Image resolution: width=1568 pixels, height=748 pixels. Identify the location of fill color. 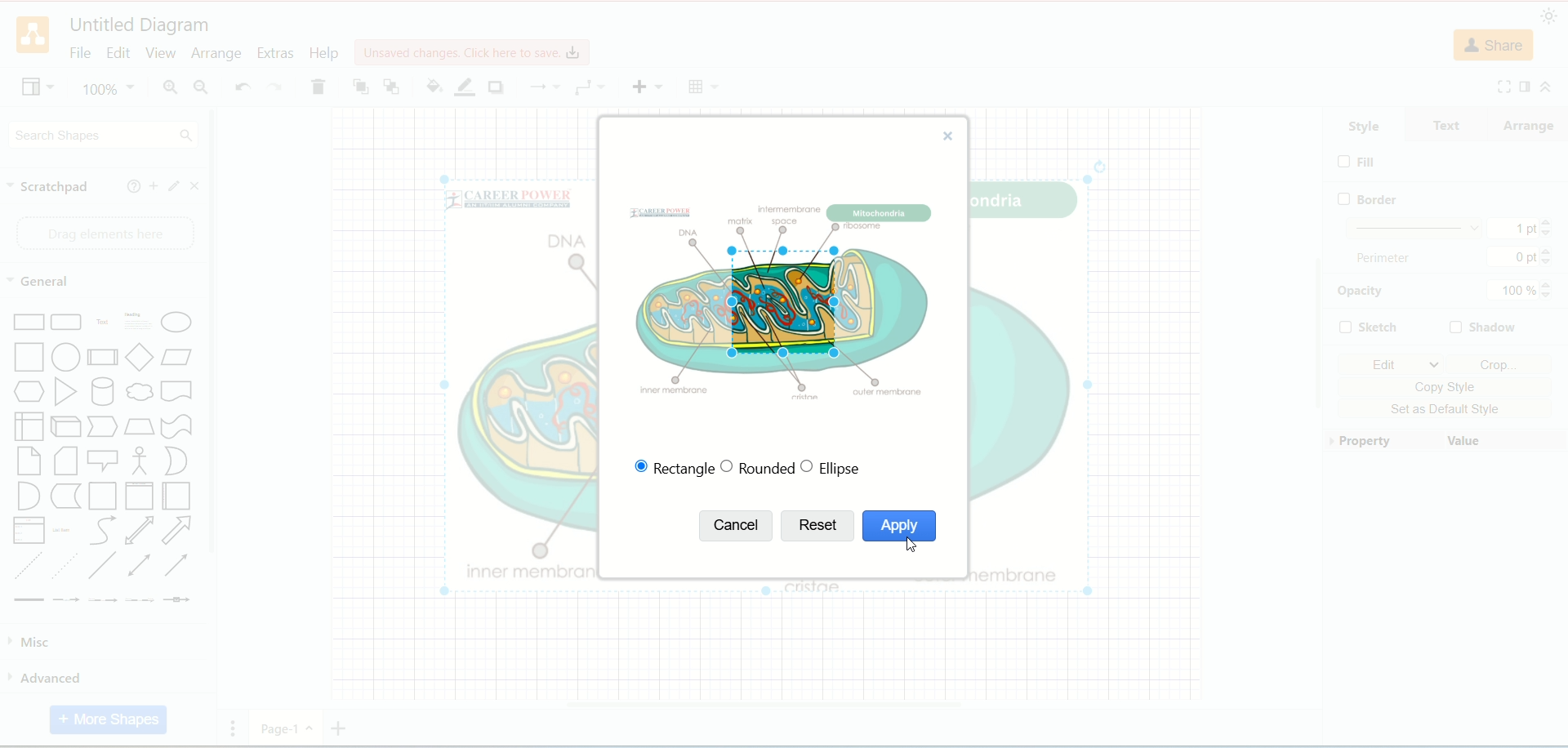
(432, 85).